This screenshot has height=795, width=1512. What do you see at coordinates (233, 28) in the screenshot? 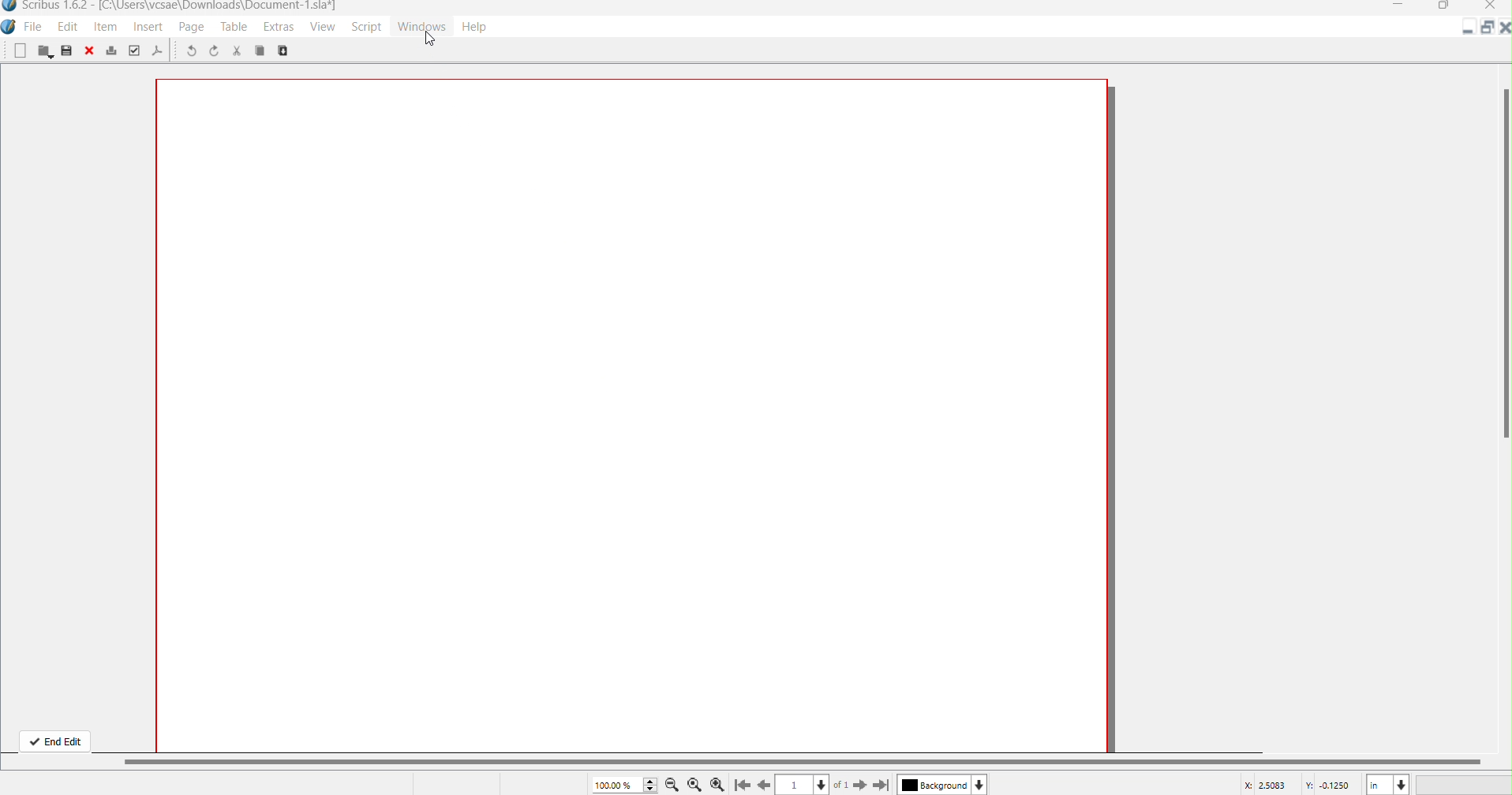
I see `` at bounding box center [233, 28].